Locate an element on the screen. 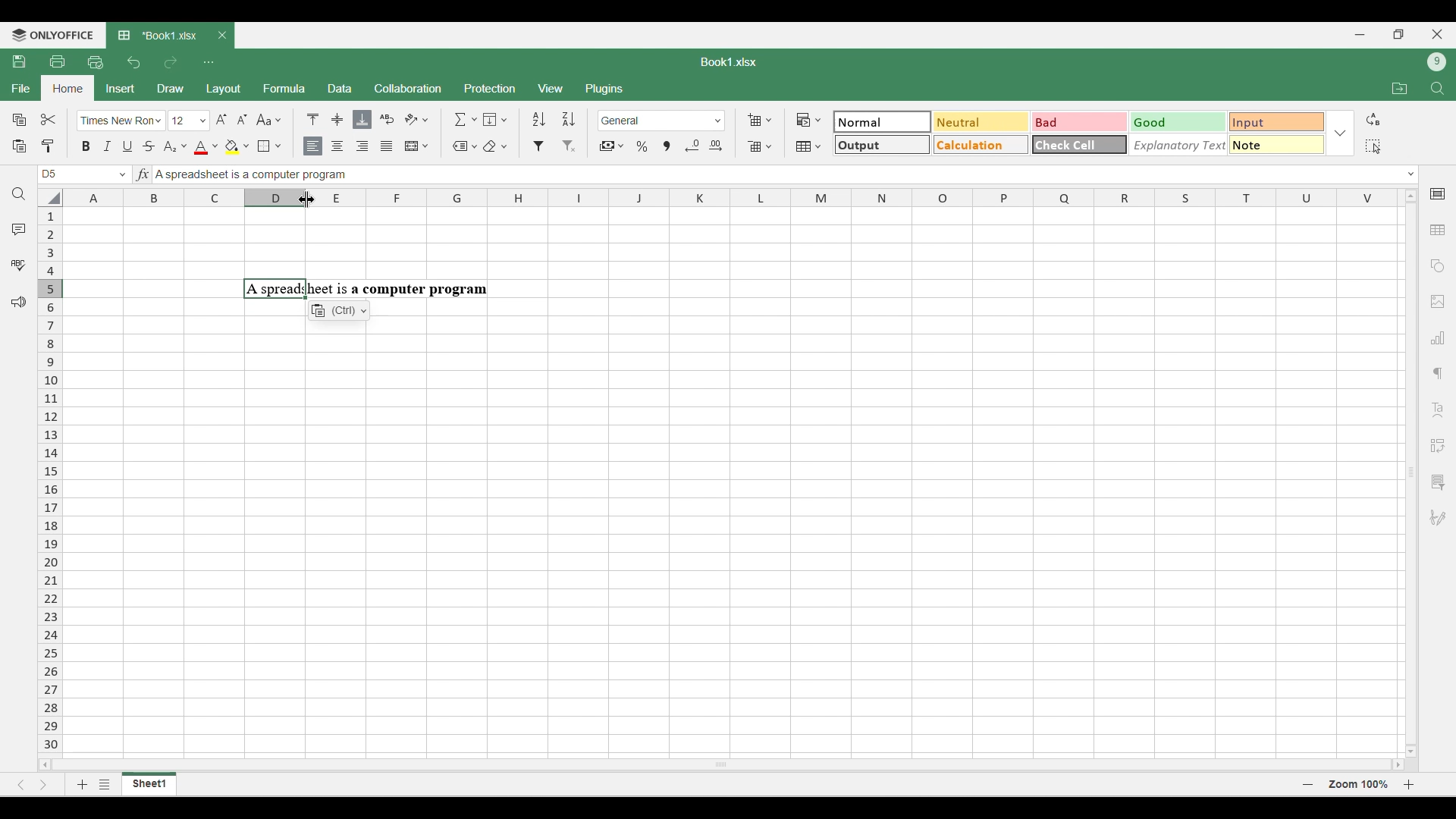 Image resolution: width=1456 pixels, height=819 pixels. Fill color is located at coordinates (237, 147).